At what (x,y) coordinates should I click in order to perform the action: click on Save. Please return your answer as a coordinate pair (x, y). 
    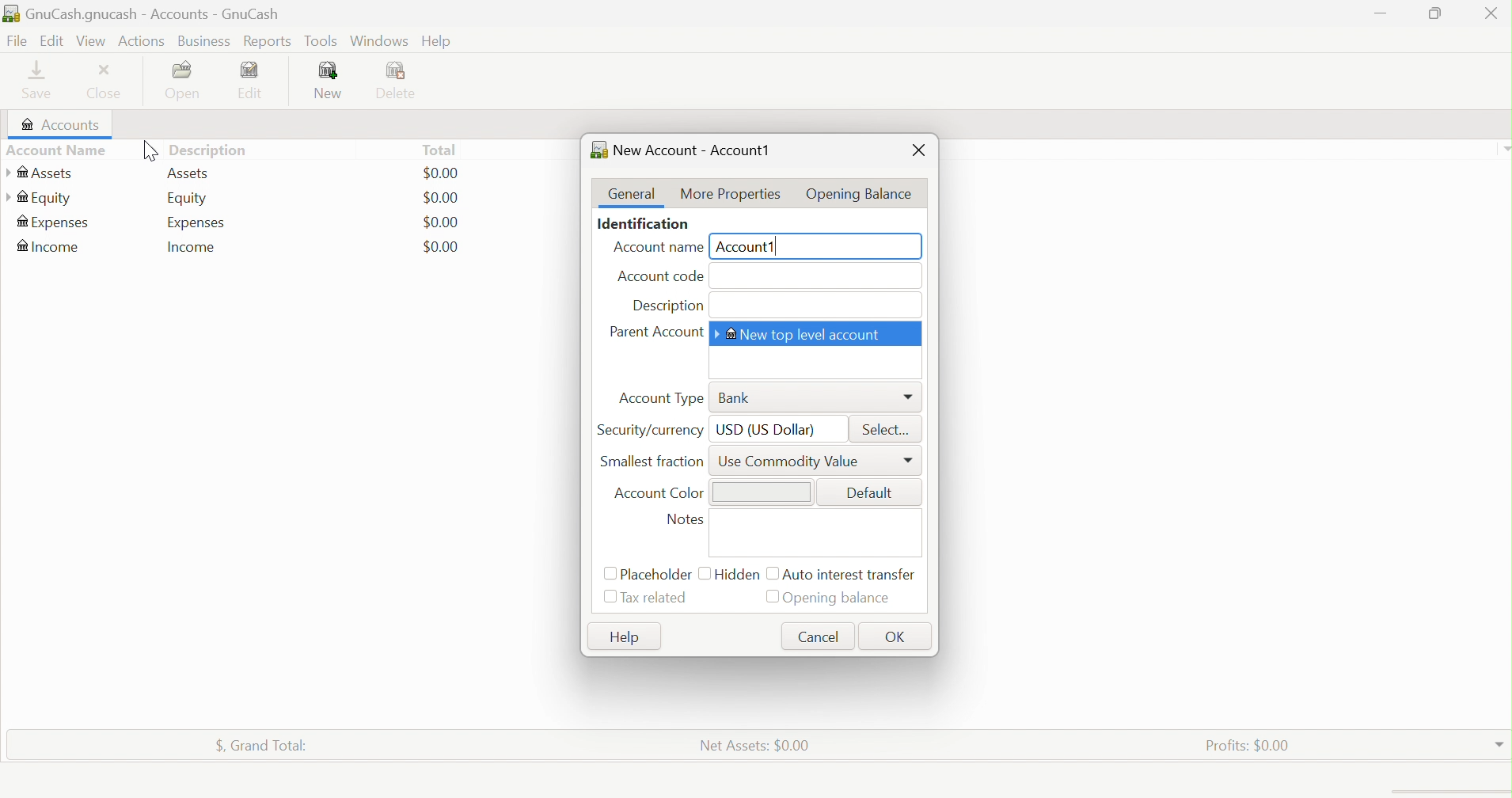
    Looking at the image, I should click on (42, 80).